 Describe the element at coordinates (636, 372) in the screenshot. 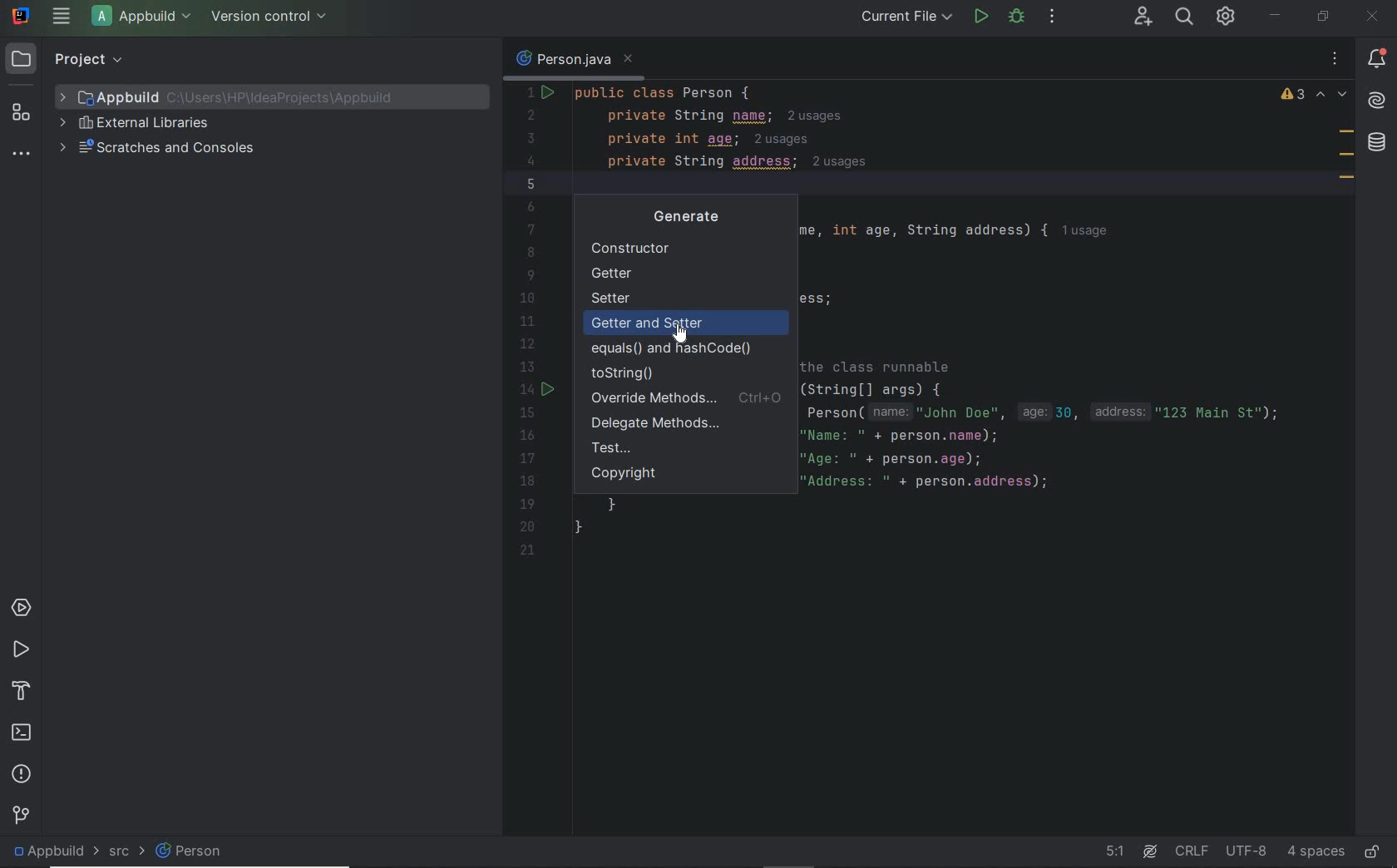

I see `toString()` at that location.